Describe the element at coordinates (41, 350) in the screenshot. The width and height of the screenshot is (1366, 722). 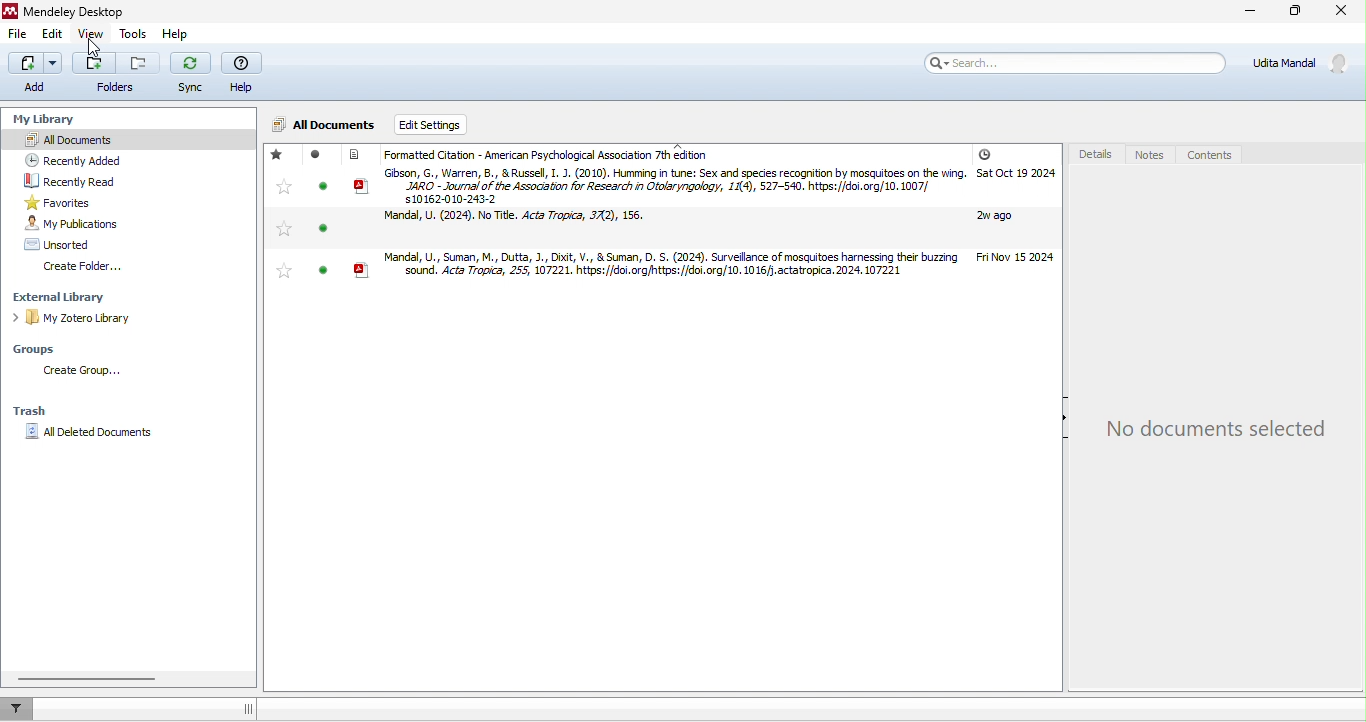
I see `groups` at that location.